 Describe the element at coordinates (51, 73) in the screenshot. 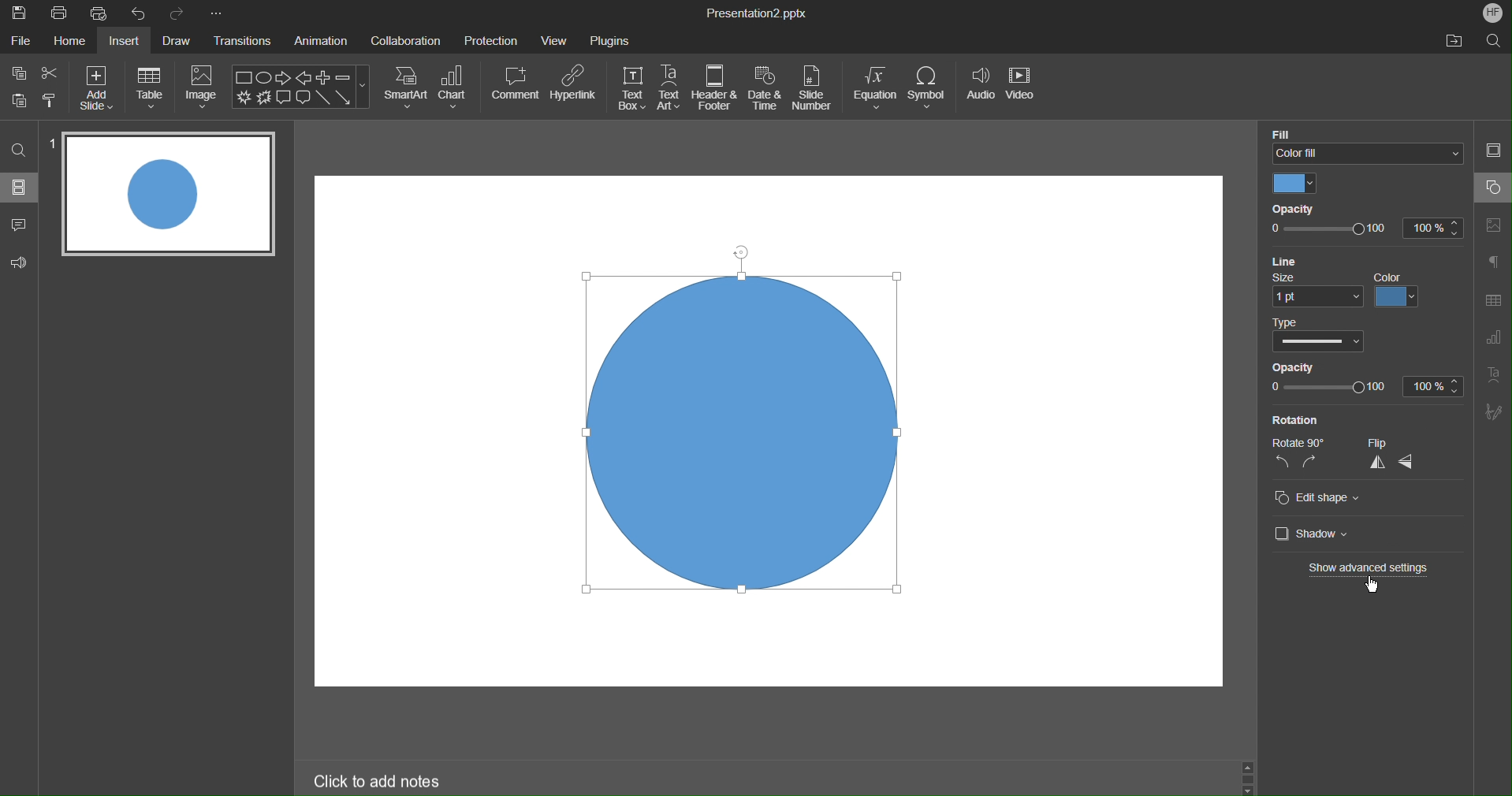

I see `Cut` at that location.